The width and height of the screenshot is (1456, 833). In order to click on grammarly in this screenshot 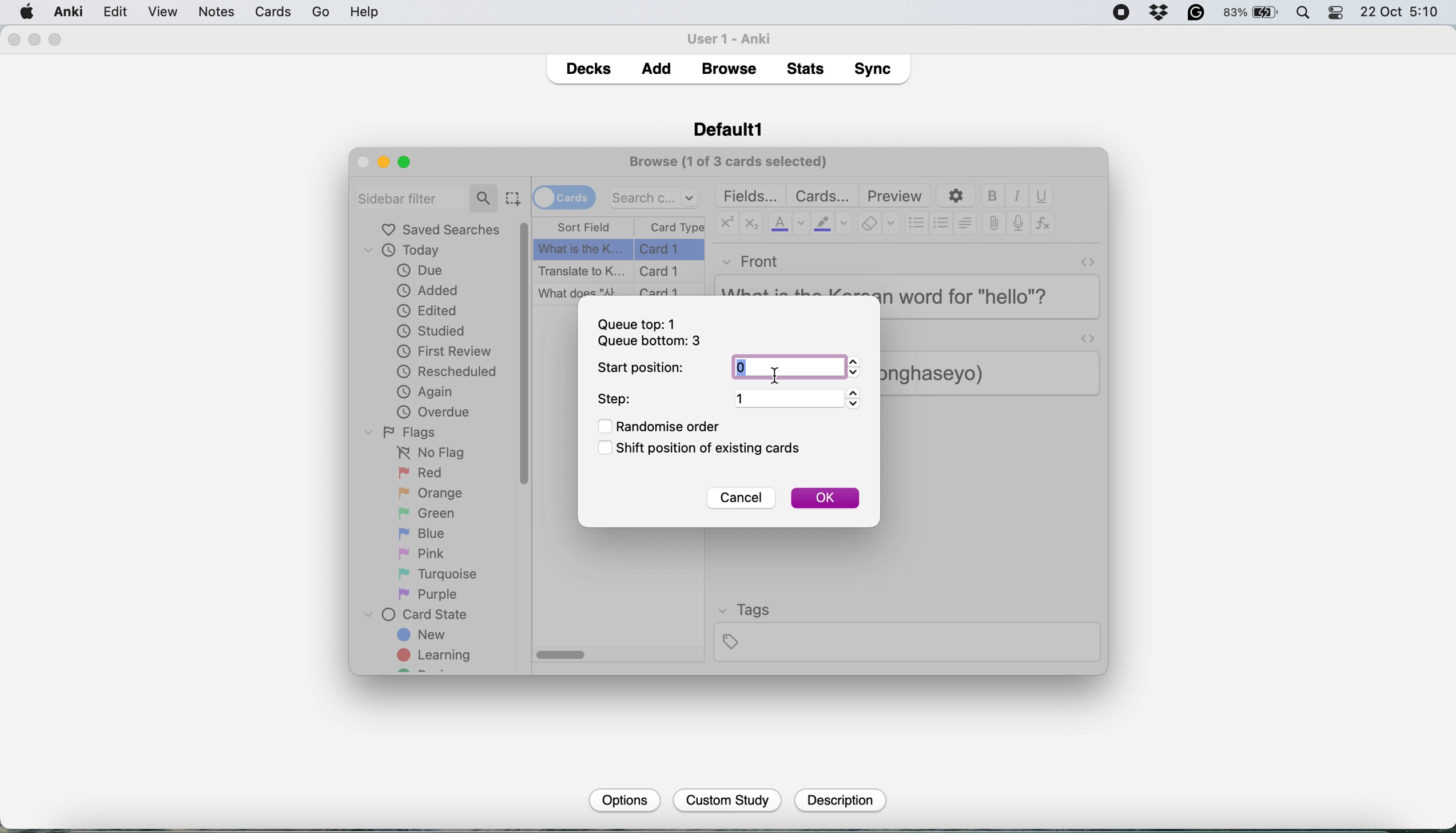, I will do `click(1197, 13)`.